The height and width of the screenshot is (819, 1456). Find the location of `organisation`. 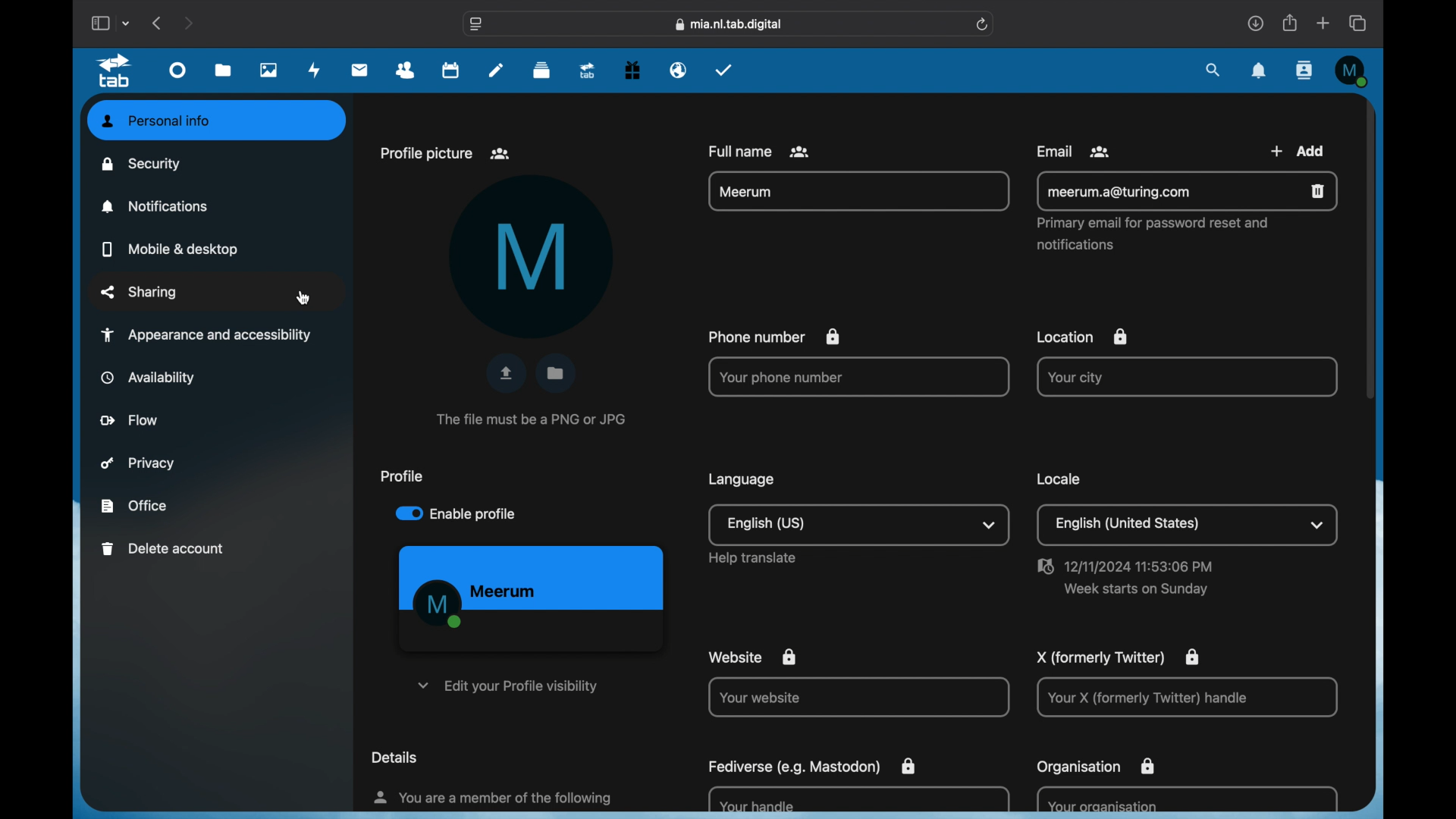

organisation is located at coordinates (1102, 768).